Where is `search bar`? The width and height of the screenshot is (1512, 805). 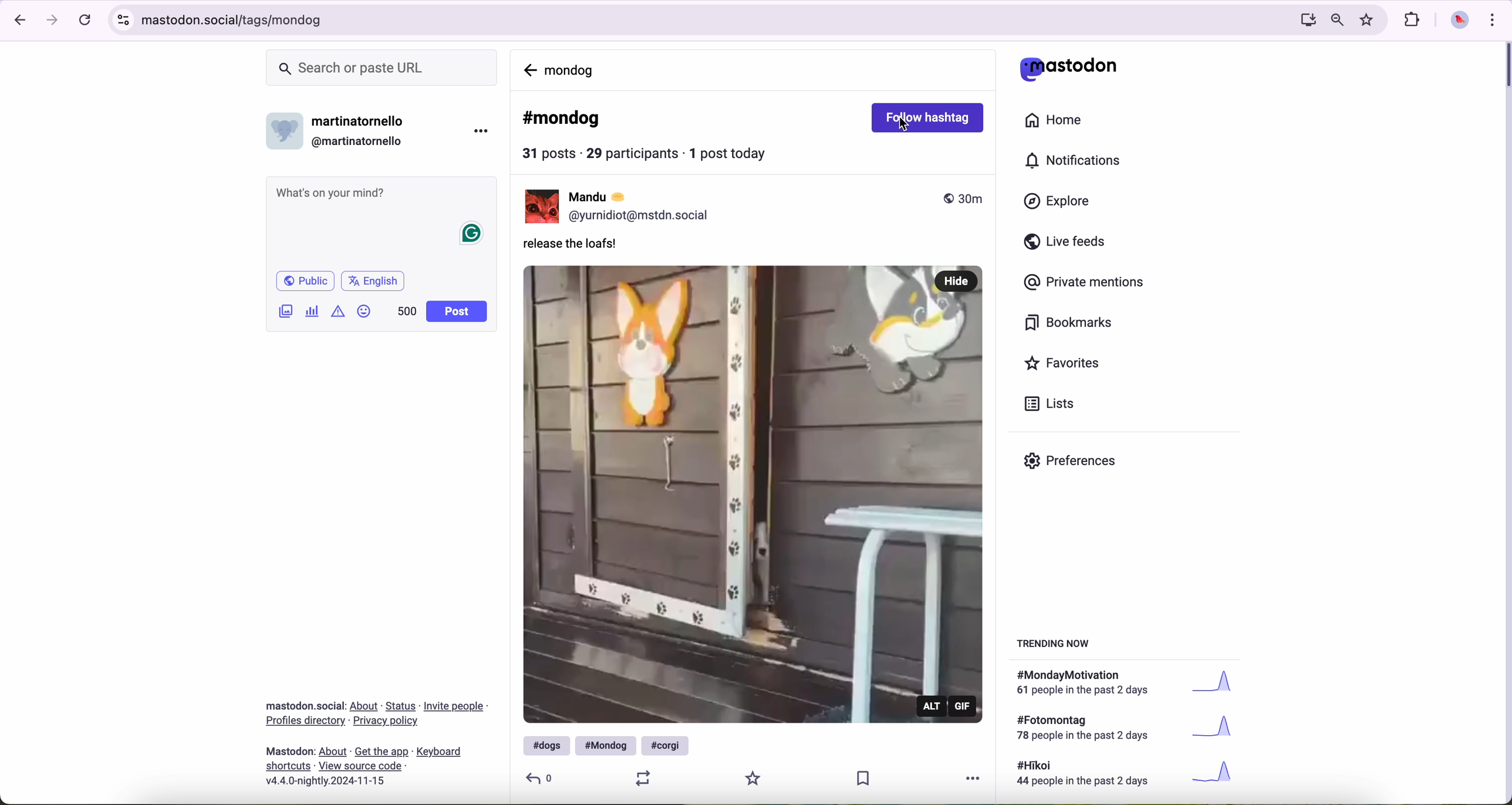 search bar is located at coordinates (384, 68).